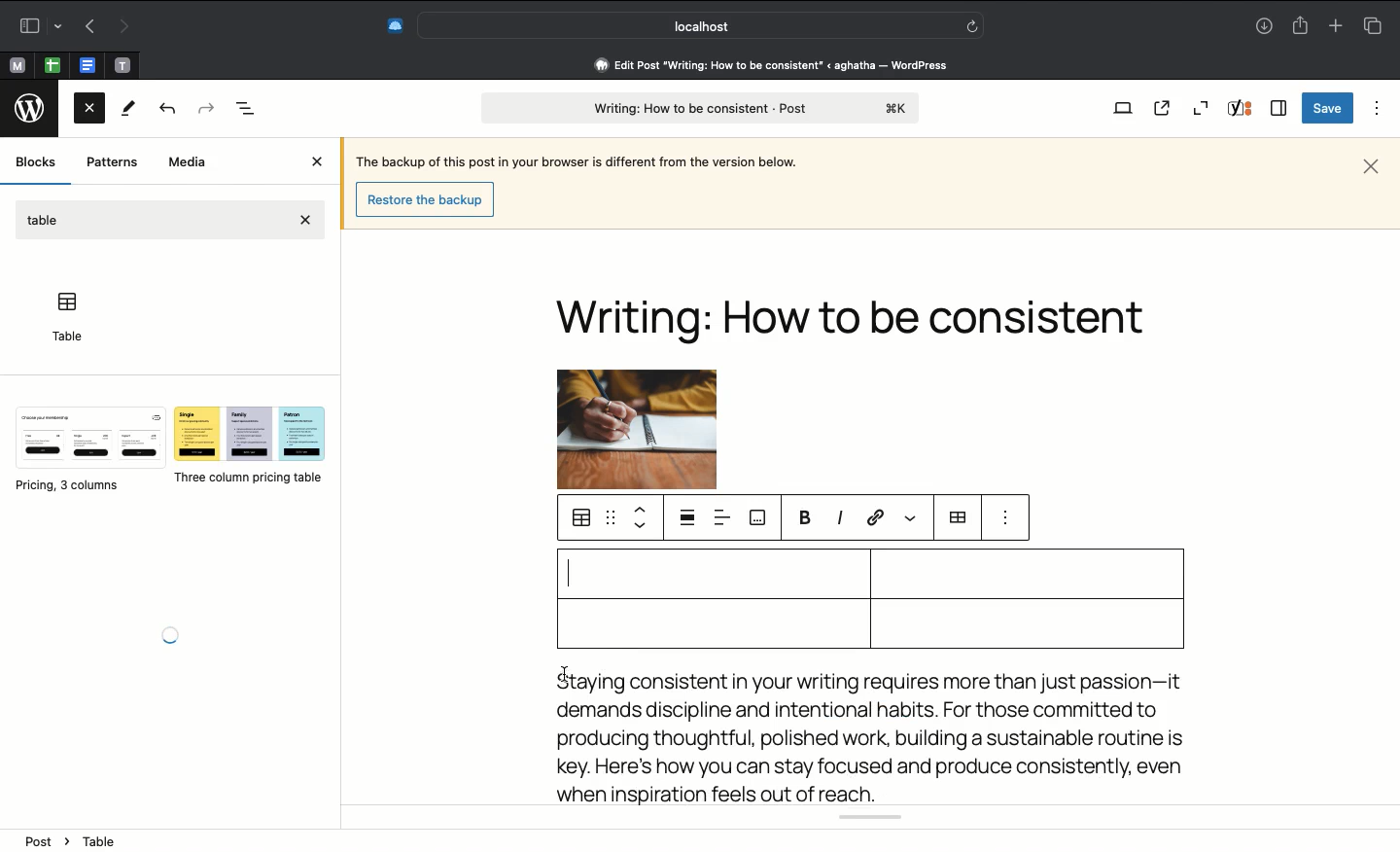  I want to click on View post, so click(1162, 108).